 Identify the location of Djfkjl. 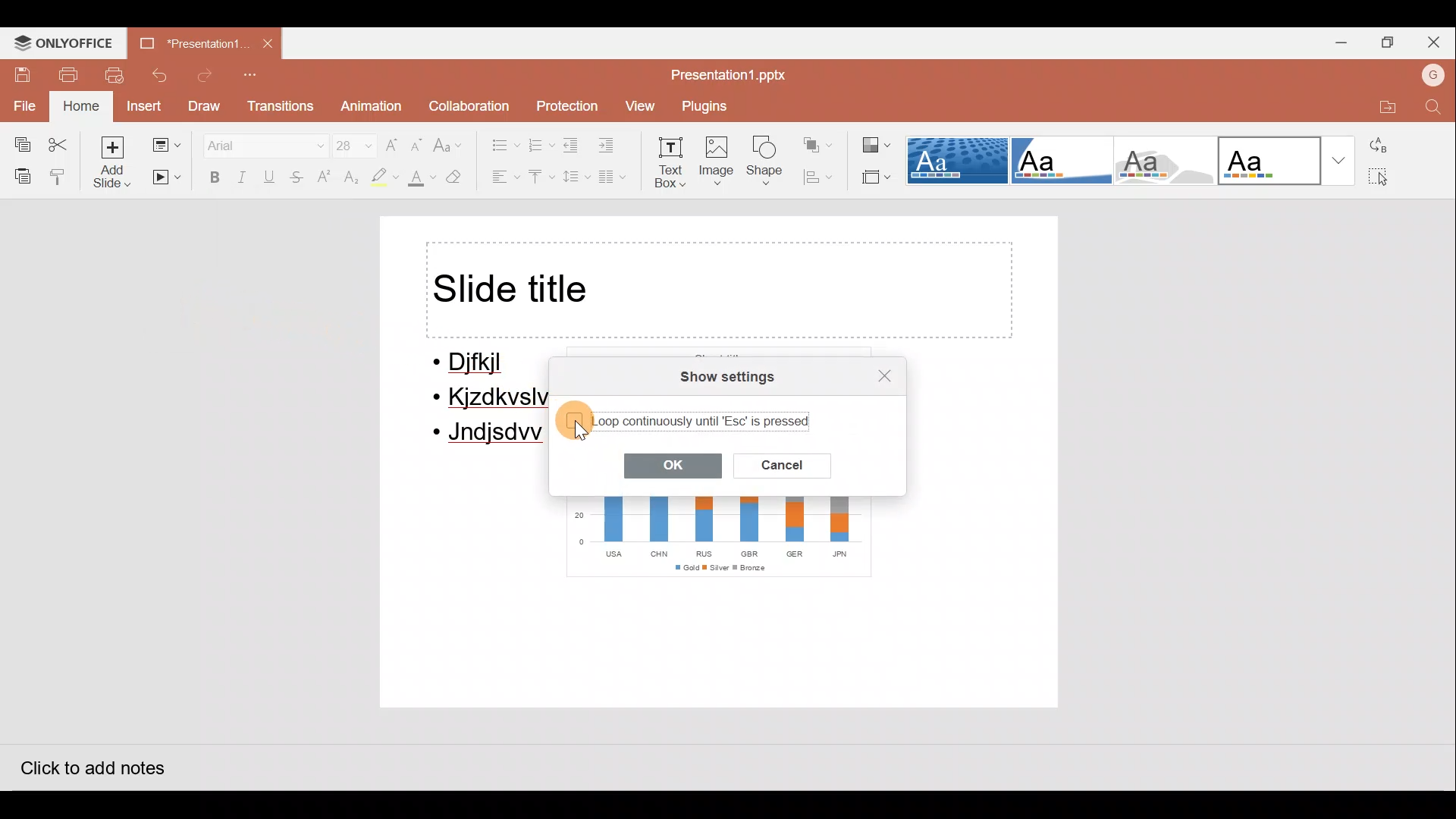
(478, 363).